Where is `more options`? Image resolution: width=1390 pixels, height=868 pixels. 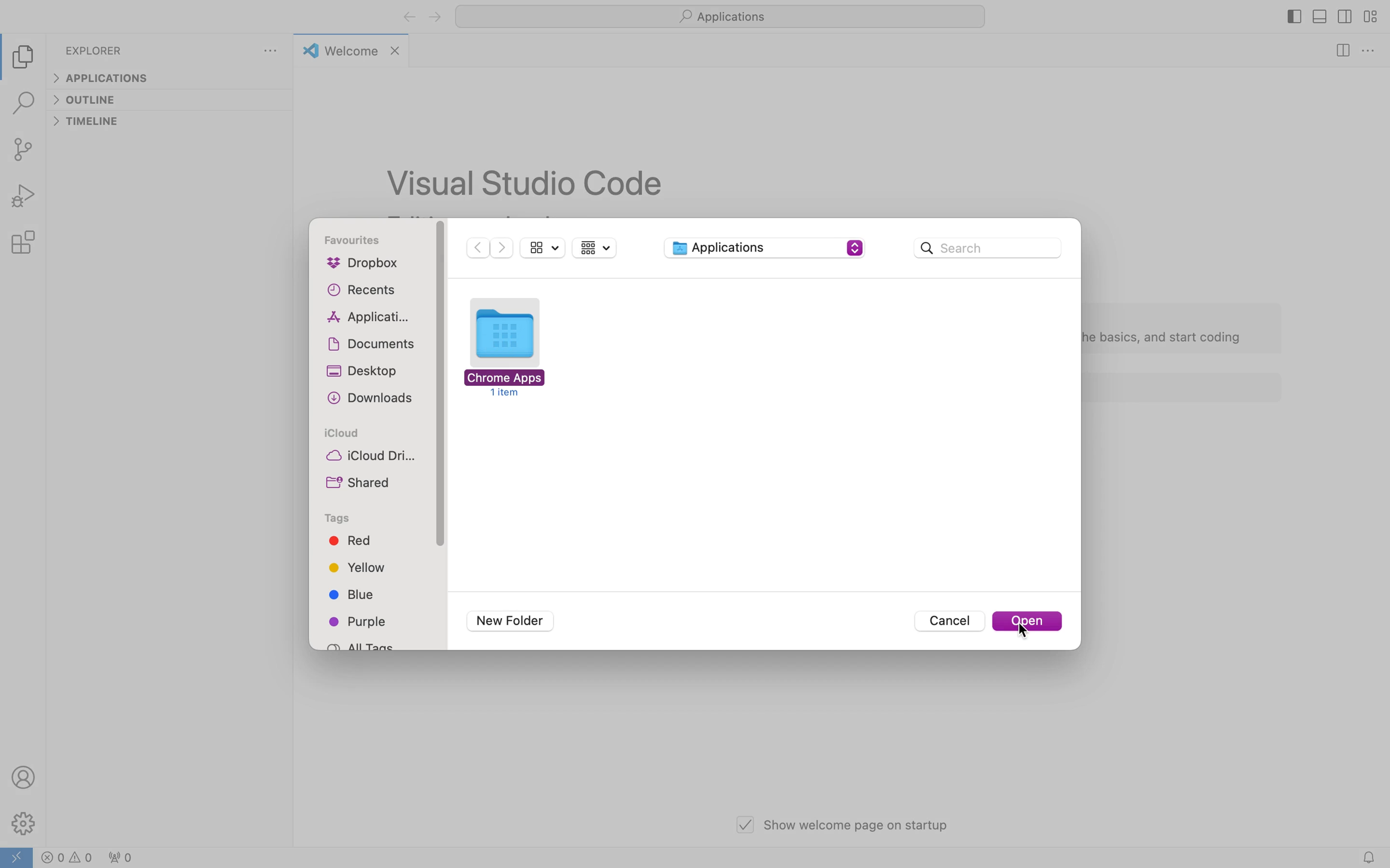 more options is located at coordinates (272, 52).